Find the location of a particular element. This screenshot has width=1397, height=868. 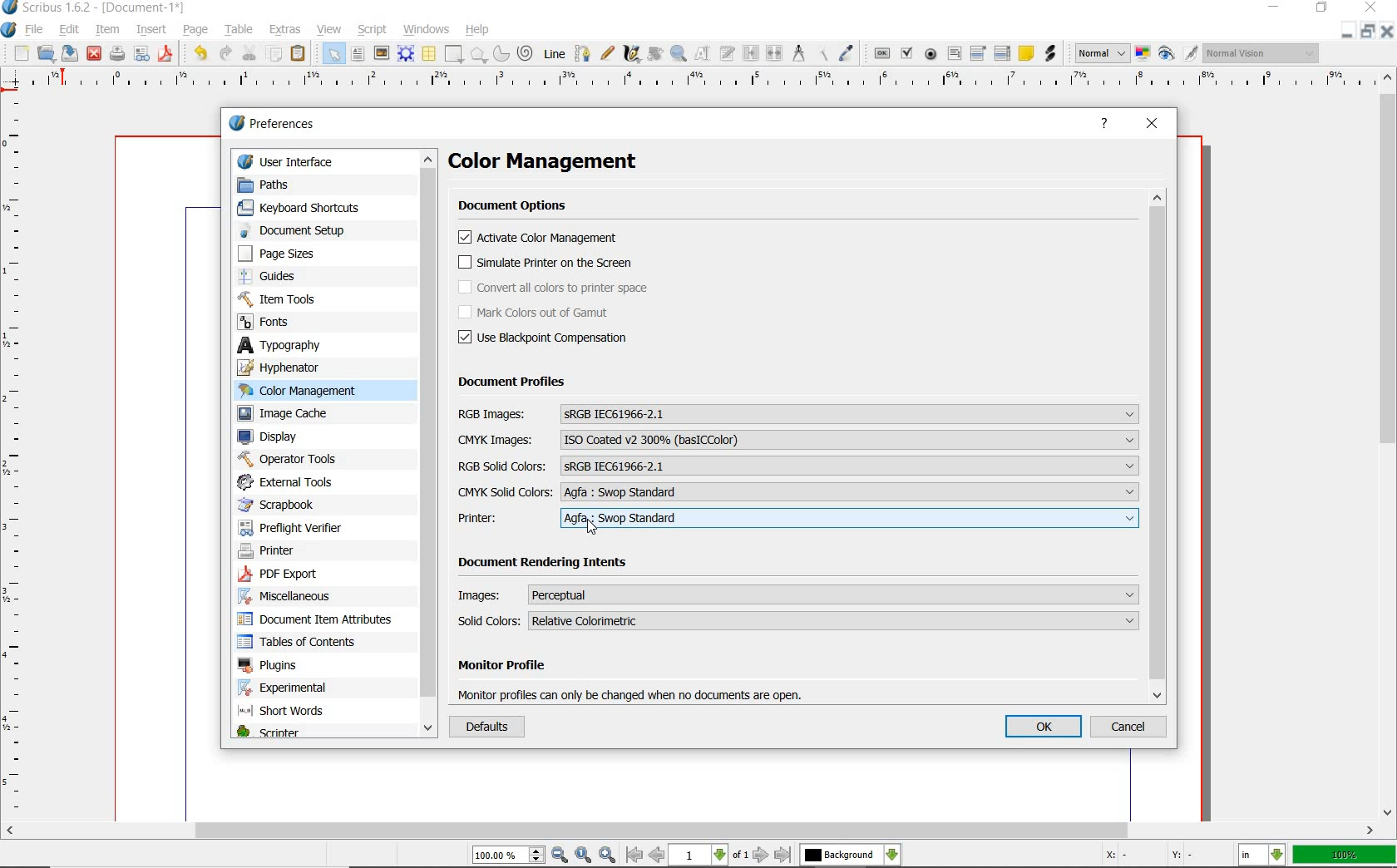

arc is located at coordinates (501, 53).